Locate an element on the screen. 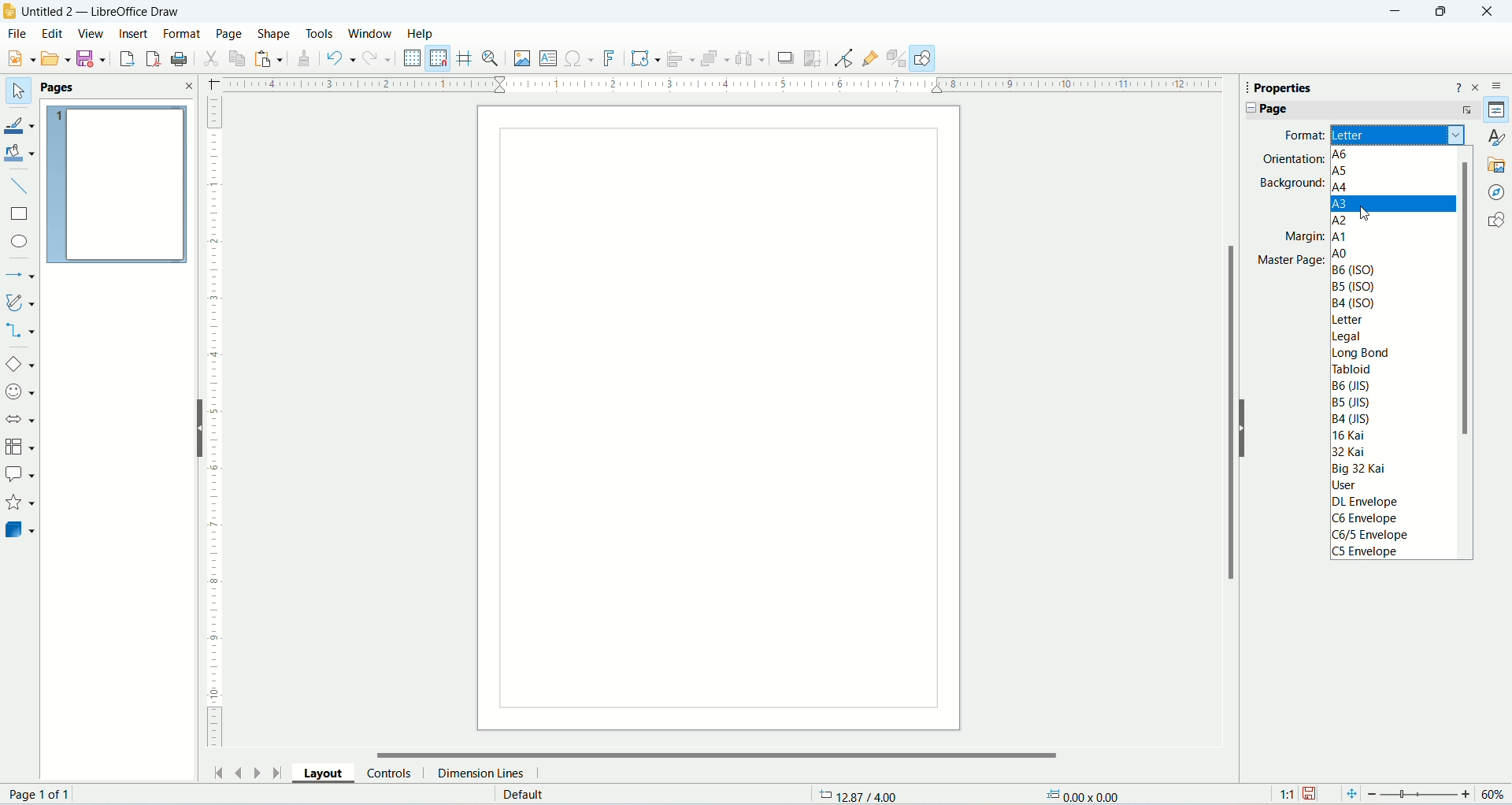  callout is located at coordinates (20, 473).